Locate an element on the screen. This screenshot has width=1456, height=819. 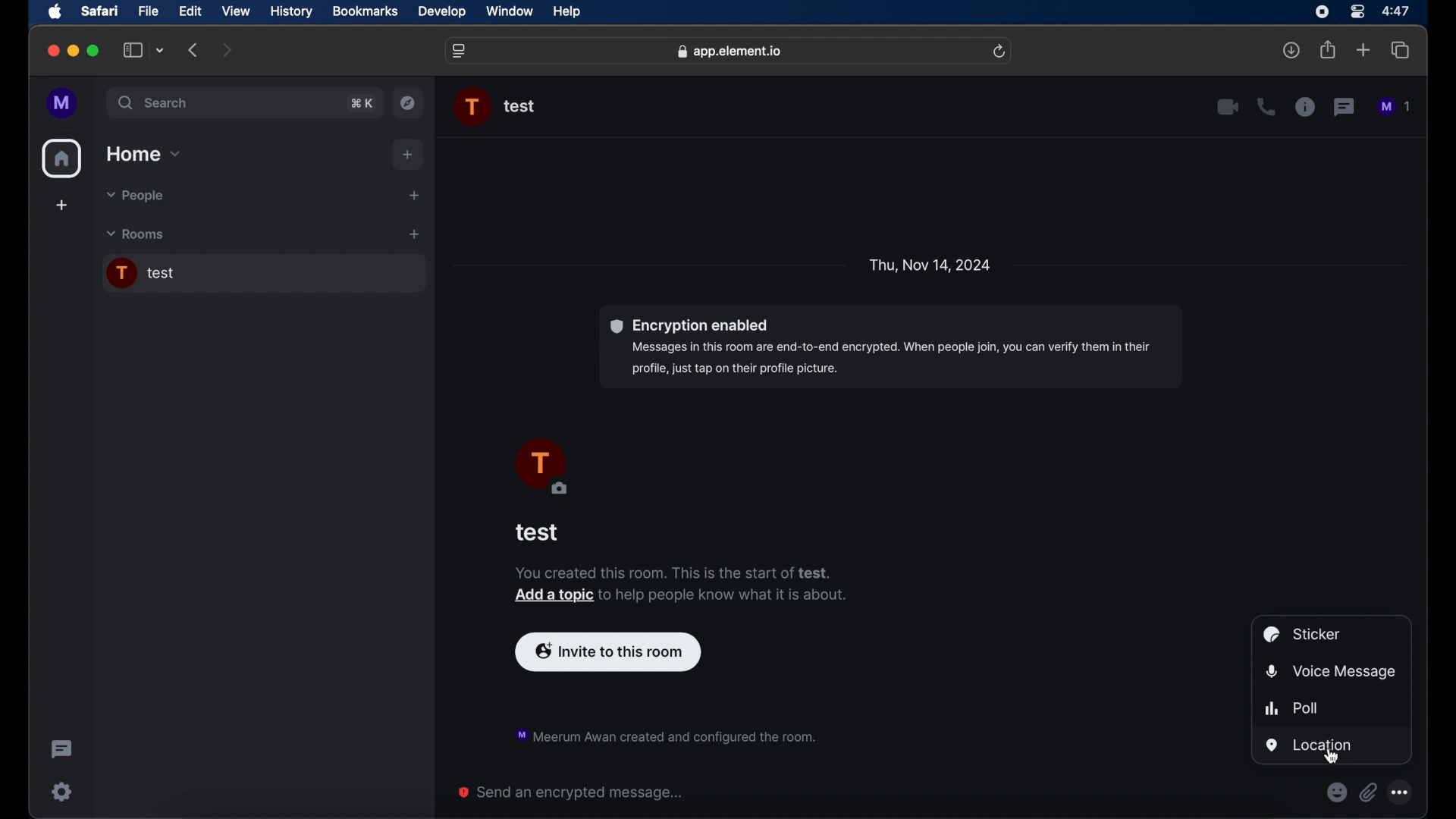
threading activity is located at coordinates (61, 749).